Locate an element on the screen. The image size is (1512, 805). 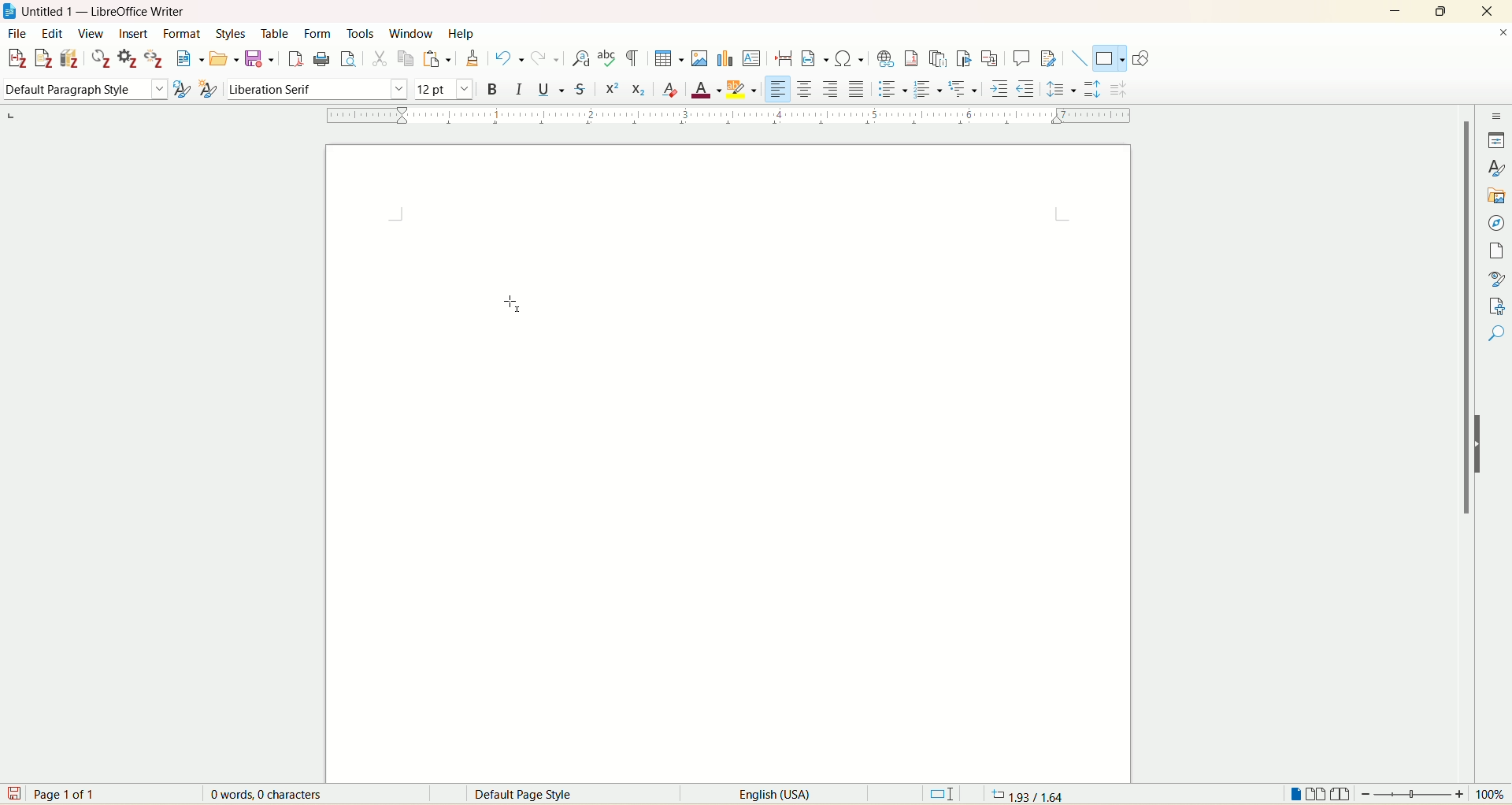
select outline format is located at coordinates (962, 90).